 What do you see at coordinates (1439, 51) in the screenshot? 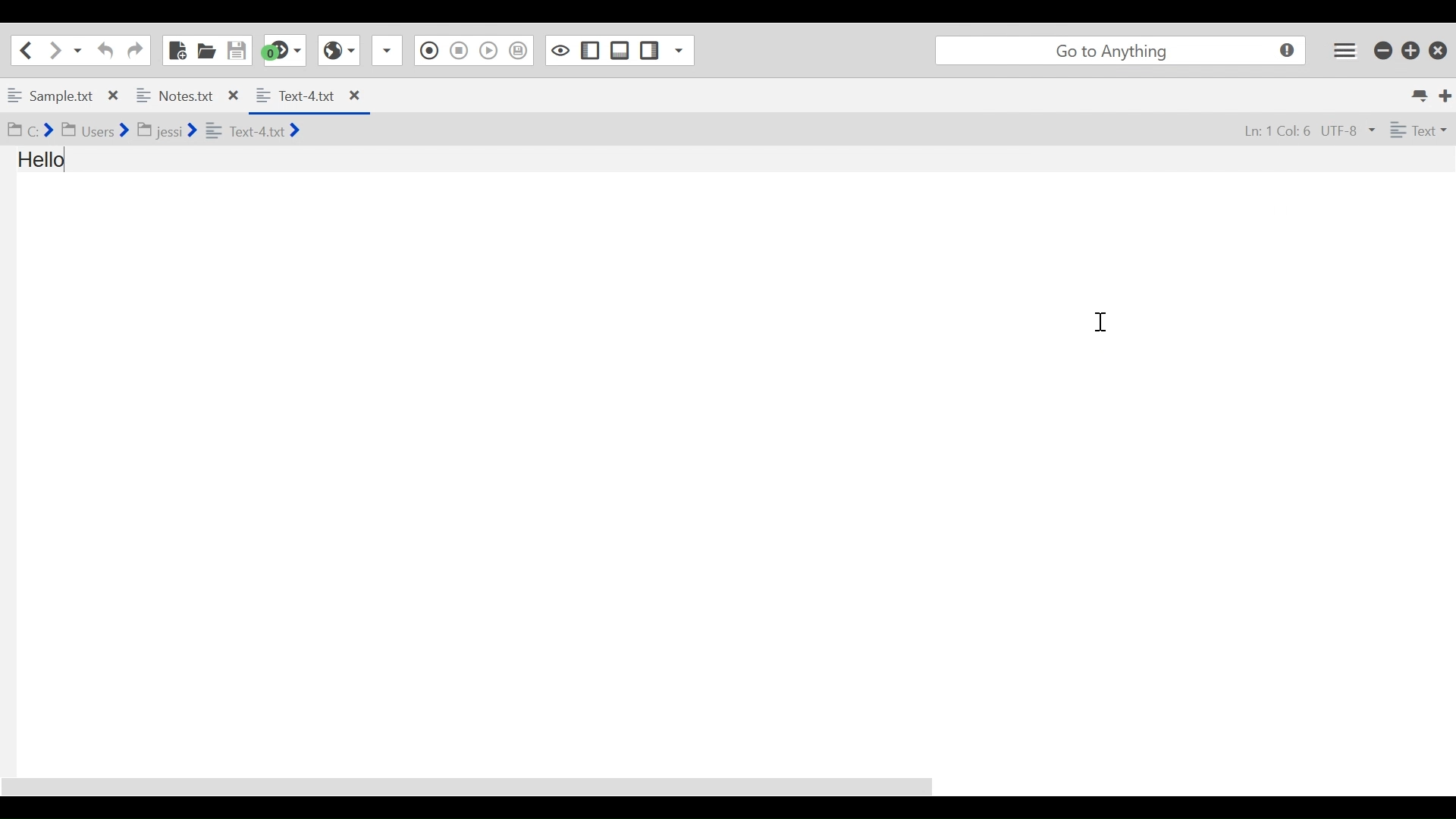
I see `Close` at bounding box center [1439, 51].